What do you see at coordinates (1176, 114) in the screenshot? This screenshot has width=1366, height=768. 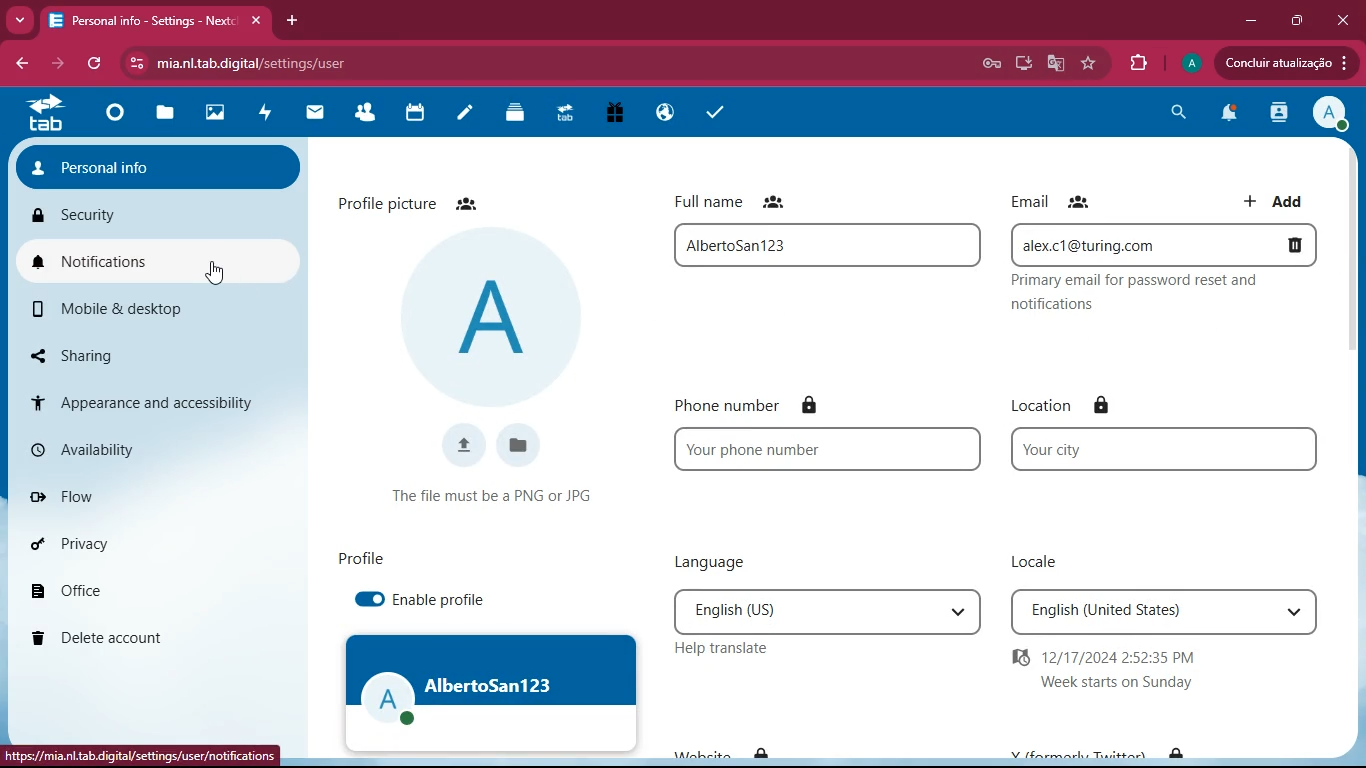 I see `search` at bounding box center [1176, 114].